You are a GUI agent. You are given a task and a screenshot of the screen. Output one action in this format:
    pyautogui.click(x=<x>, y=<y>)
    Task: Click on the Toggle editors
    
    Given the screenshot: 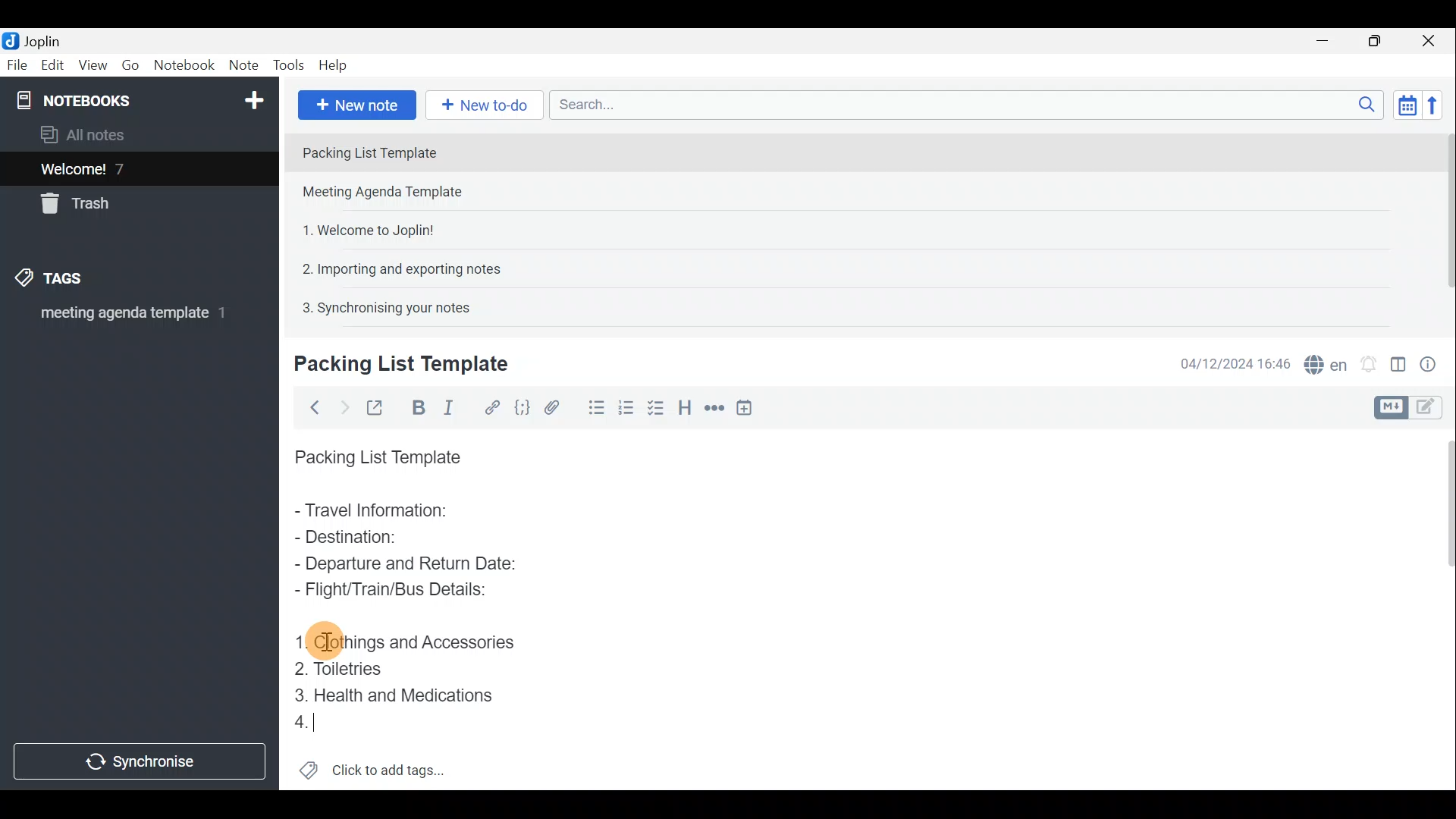 What is the action you would take?
    pyautogui.click(x=1433, y=409)
    